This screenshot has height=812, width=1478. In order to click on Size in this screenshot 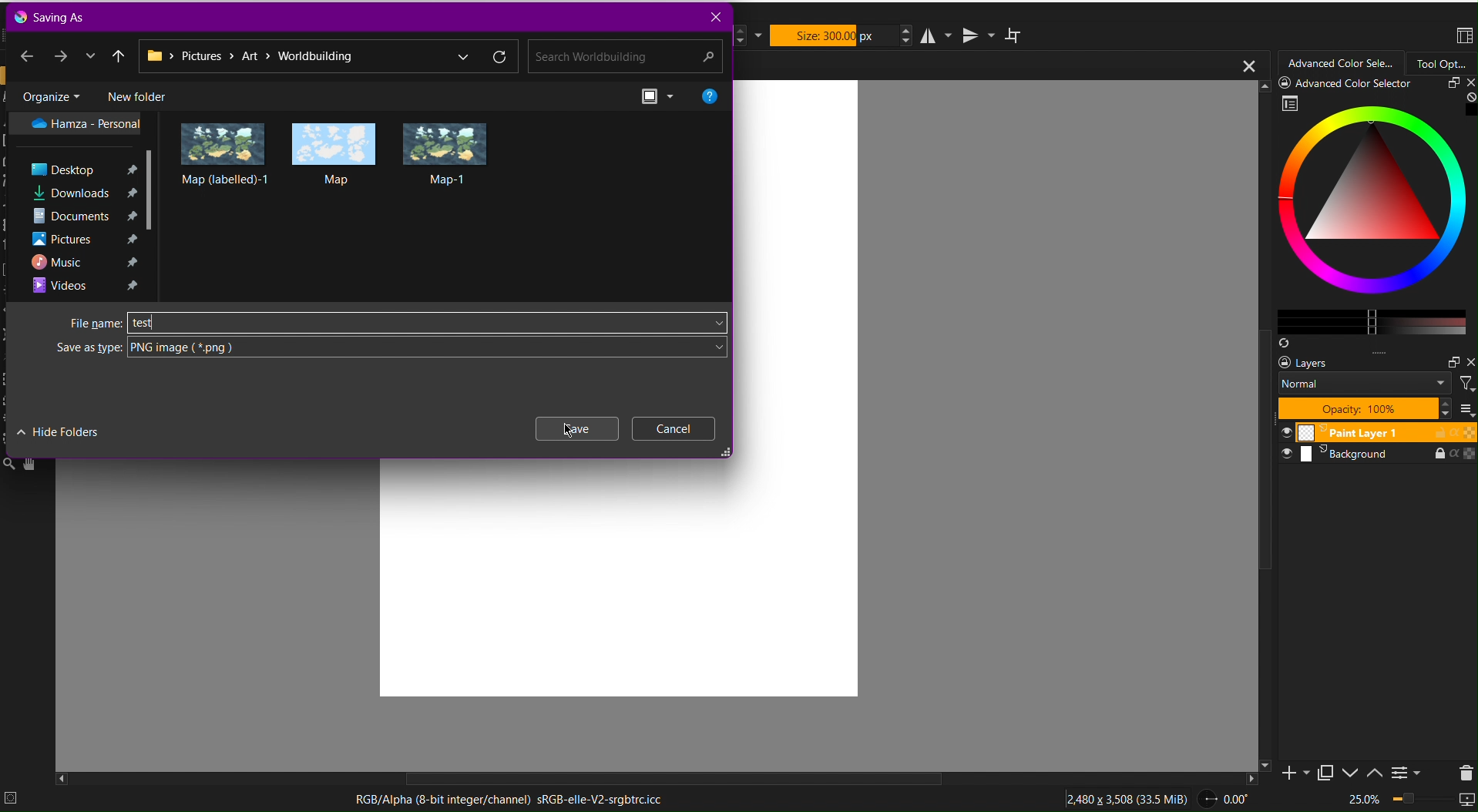, I will do `click(834, 35)`.